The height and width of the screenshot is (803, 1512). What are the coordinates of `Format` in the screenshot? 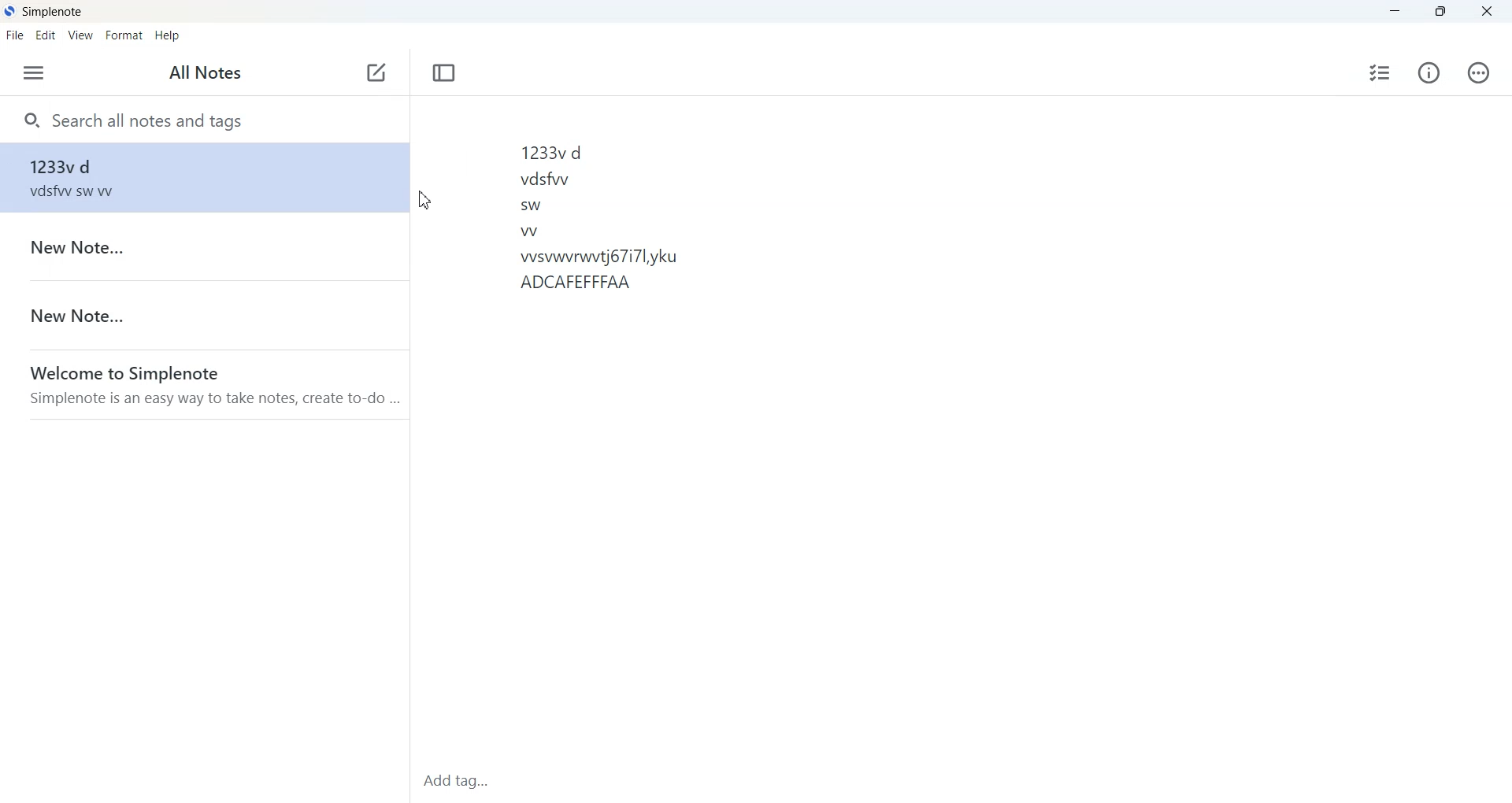 It's located at (124, 35).